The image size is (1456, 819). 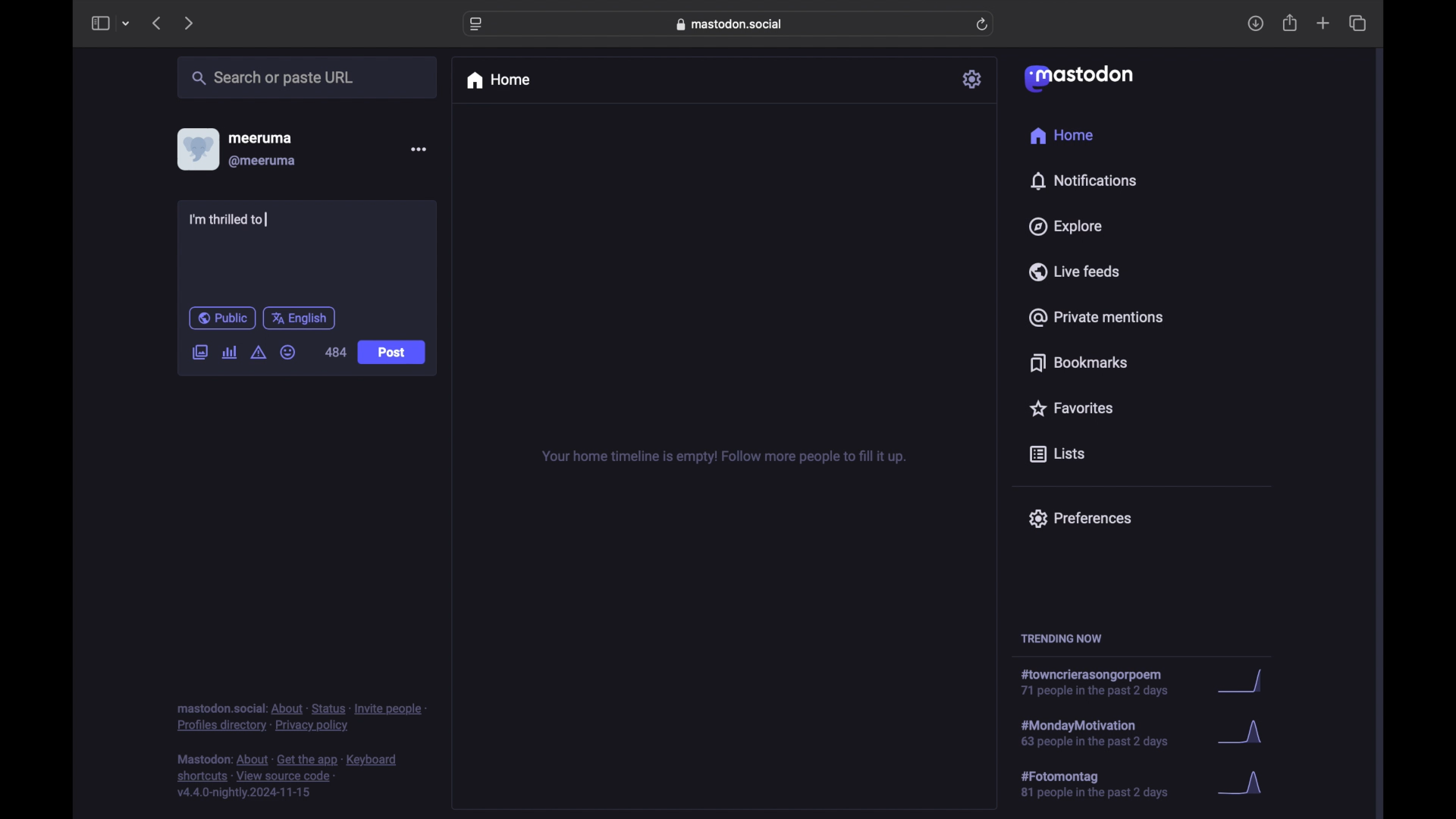 What do you see at coordinates (287, 352) in the screenshot?
I see `emoji` at bounding box center [287, 352].